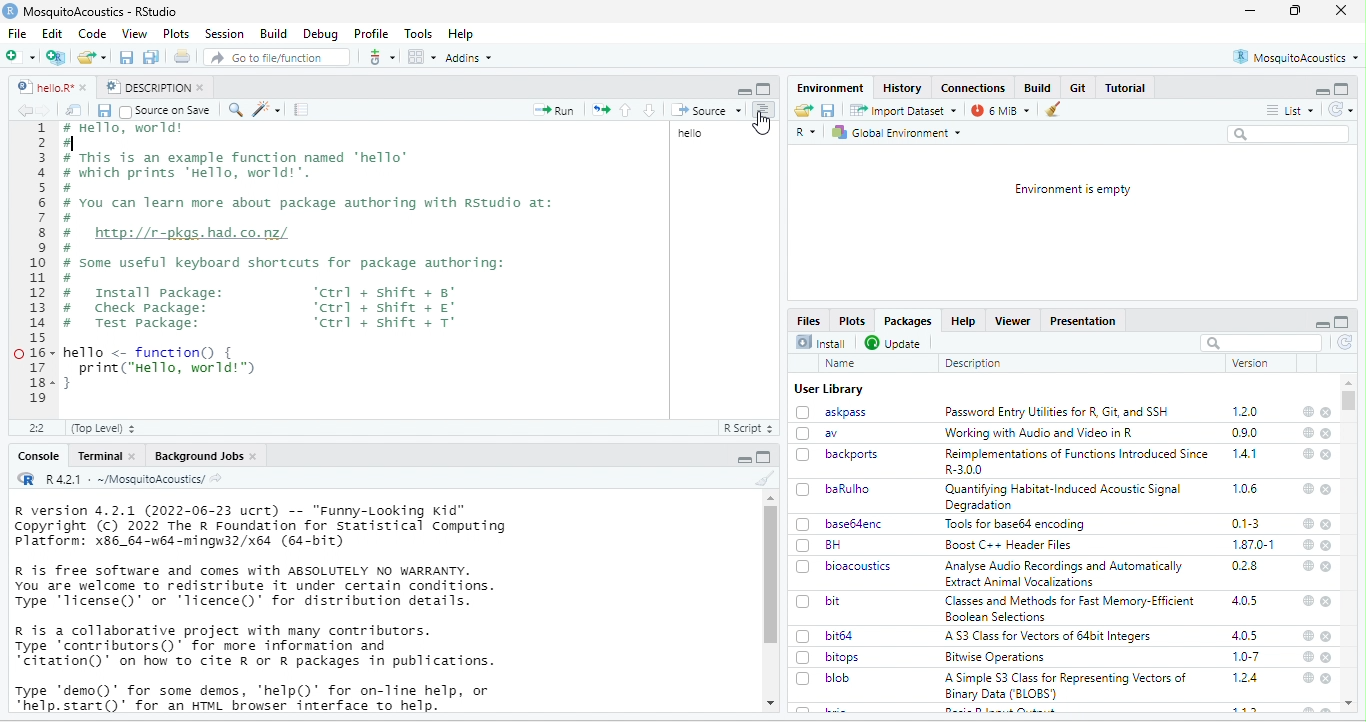  What do you see at coordinates (1306, 523) in the screenshot?
I see `help` at bounding box center [1306, 523].